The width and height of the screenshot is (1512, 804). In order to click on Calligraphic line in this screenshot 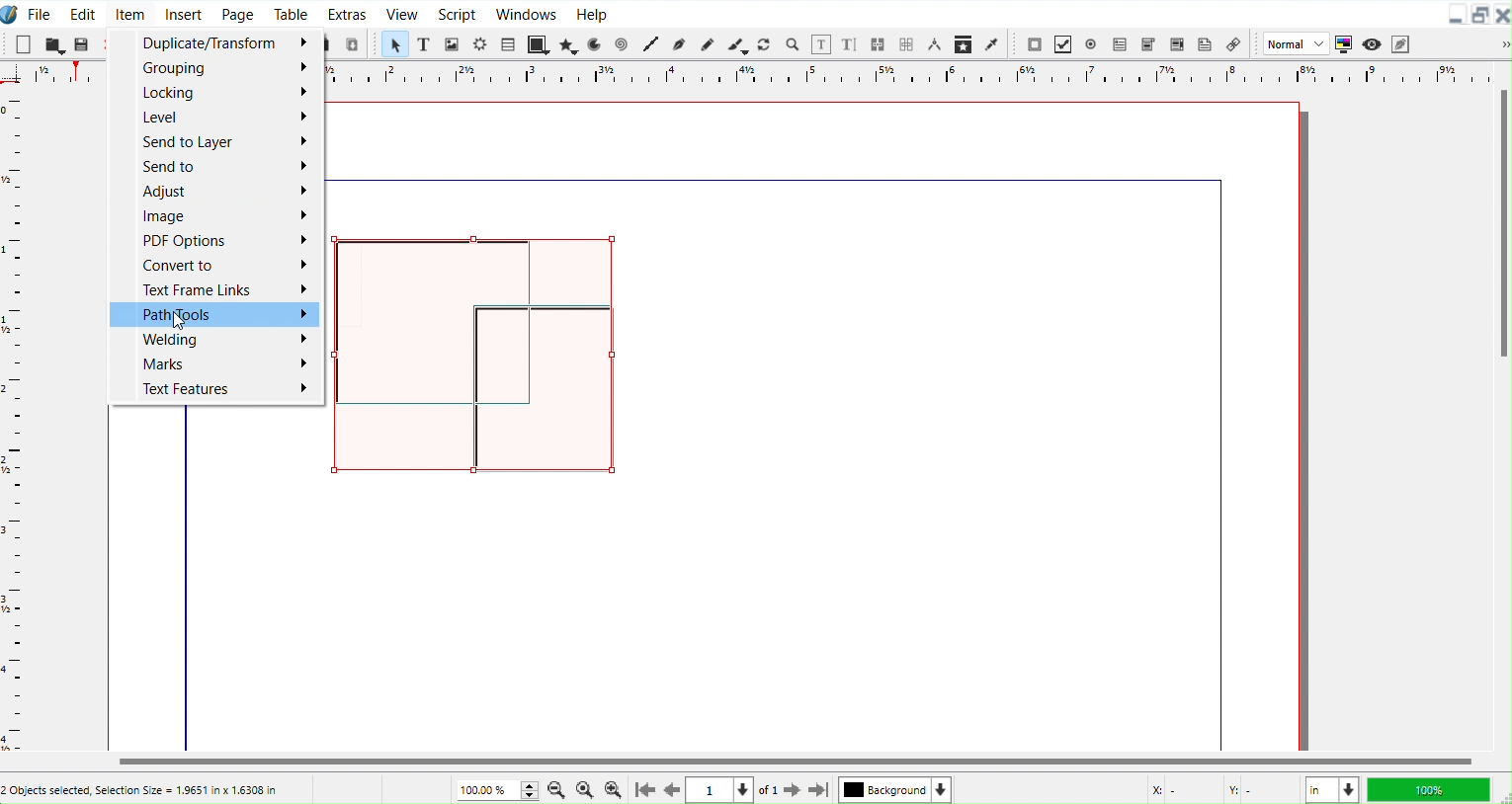, I will do `click(737, 44)`.